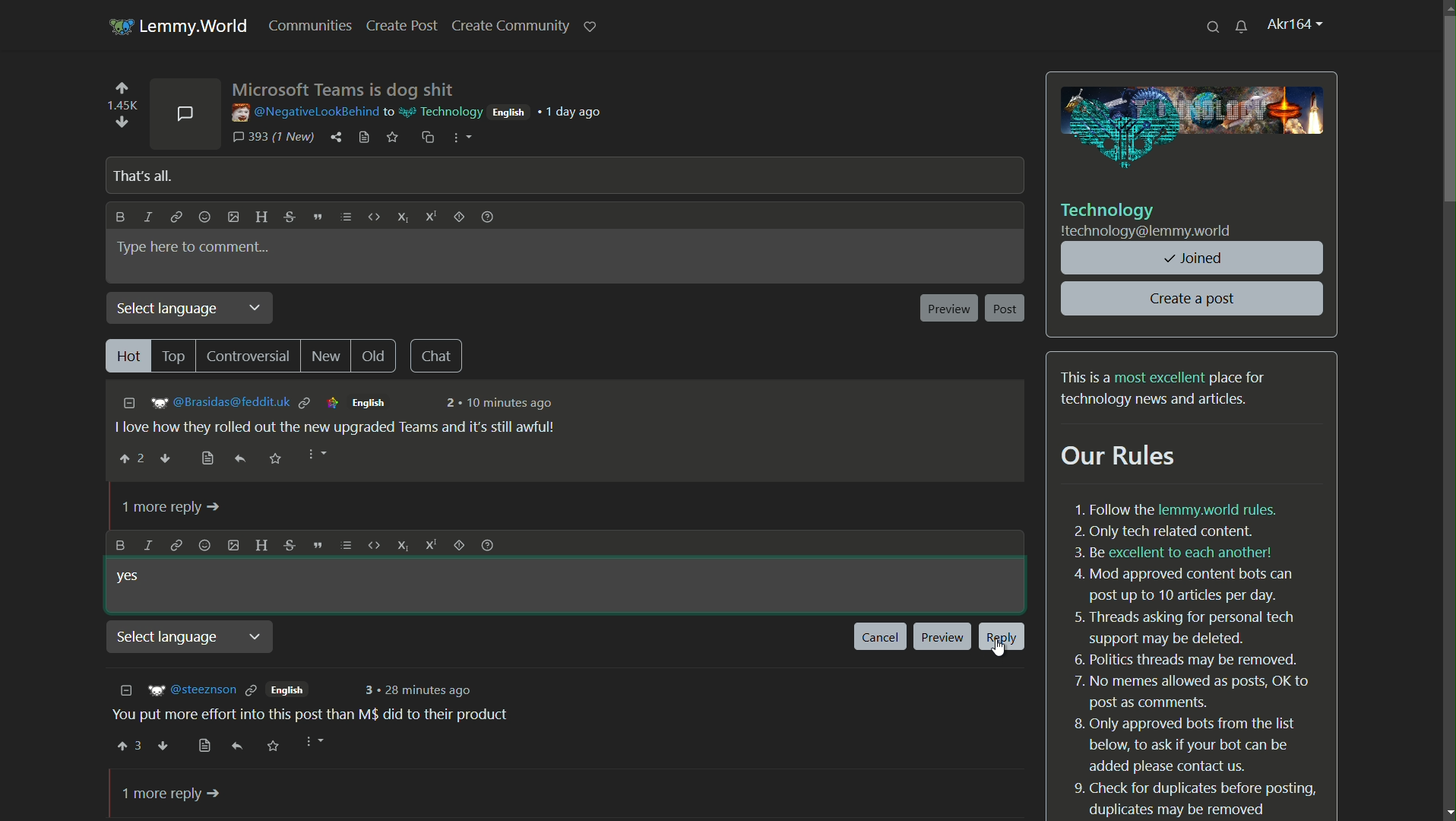 The image size is (1456, 821). What do you see at coordinates (121, 106) in the screenshot?
I see `number of votes` at bounding box center [121, 106].